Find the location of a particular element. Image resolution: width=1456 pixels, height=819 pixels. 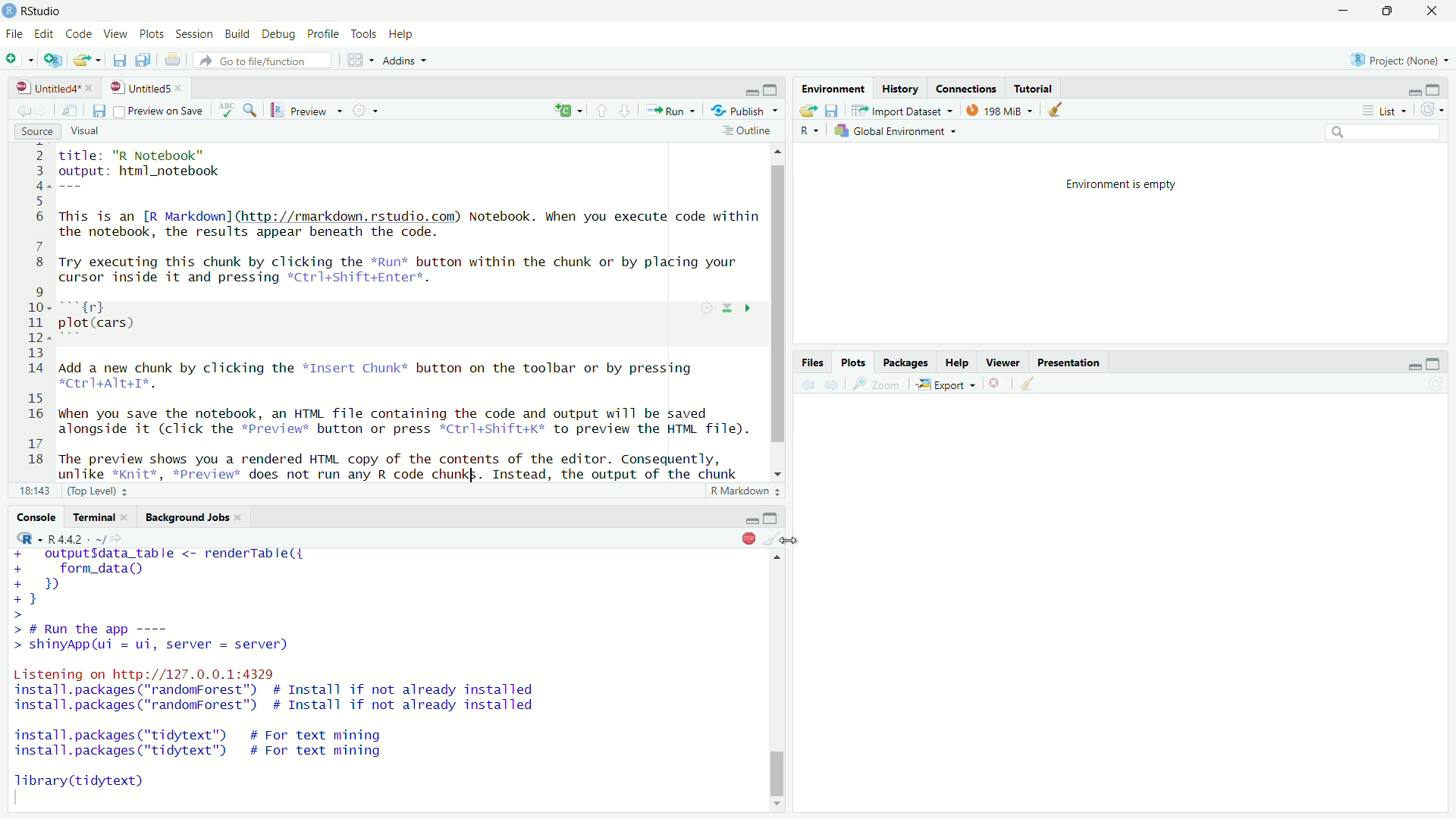

close is located at coordinates (1431, 11).